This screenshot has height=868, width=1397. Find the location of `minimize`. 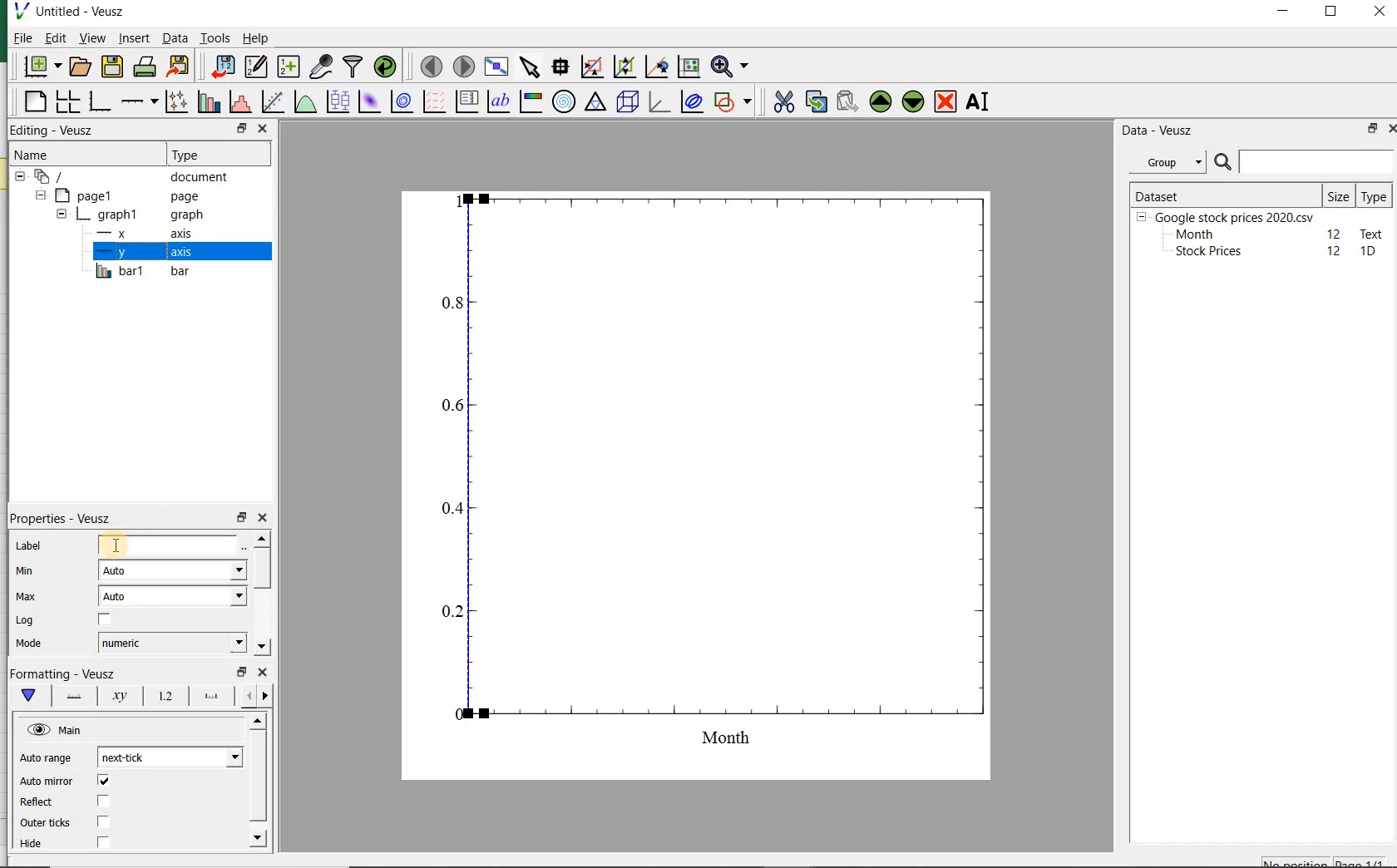

minimize is located at coordinates (1284, 12).